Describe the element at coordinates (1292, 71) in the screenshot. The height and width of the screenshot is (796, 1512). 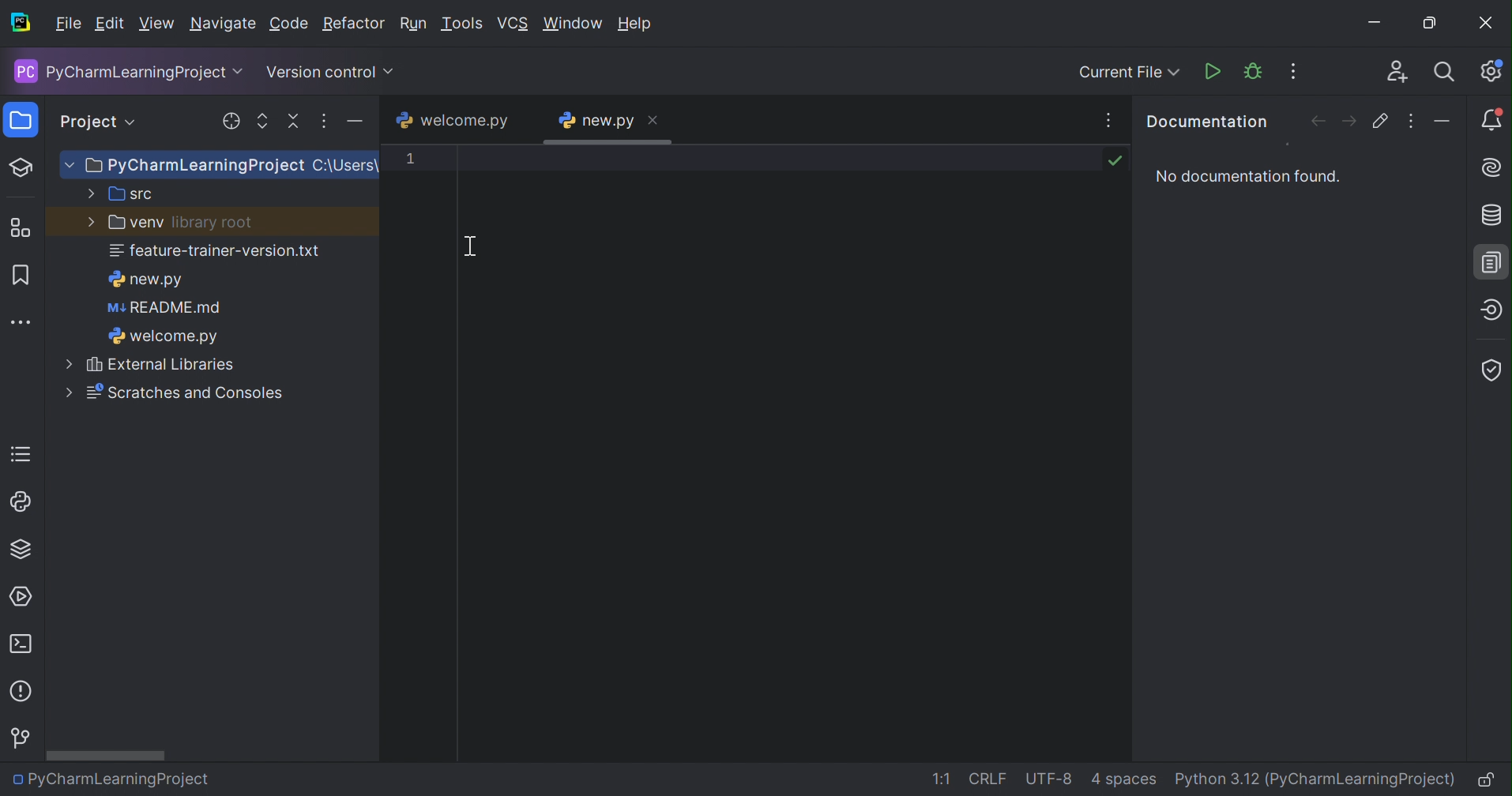
I see `More Actions` at that location.